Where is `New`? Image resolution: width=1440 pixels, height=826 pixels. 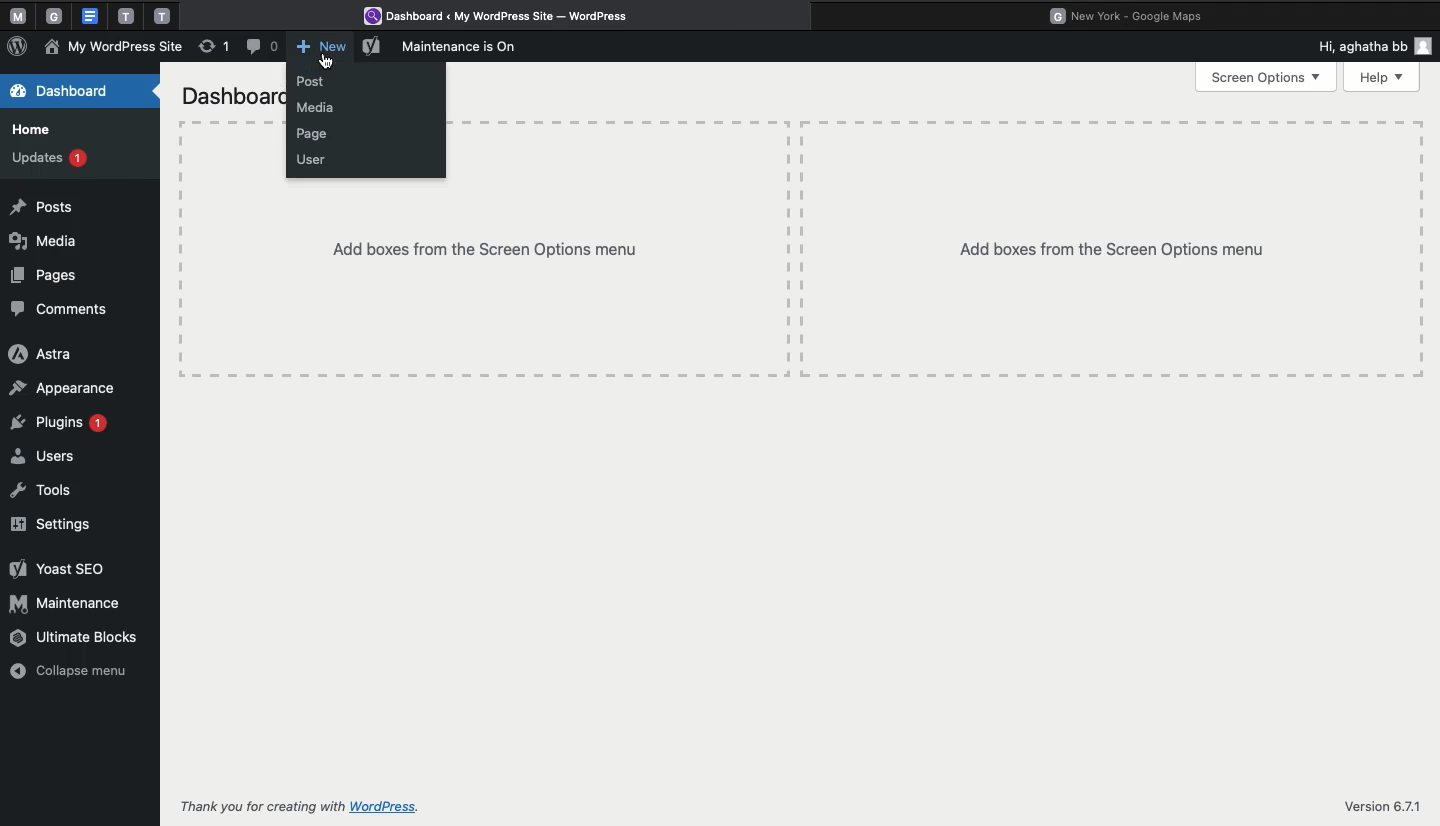
New is located at coordinates (320, 47).